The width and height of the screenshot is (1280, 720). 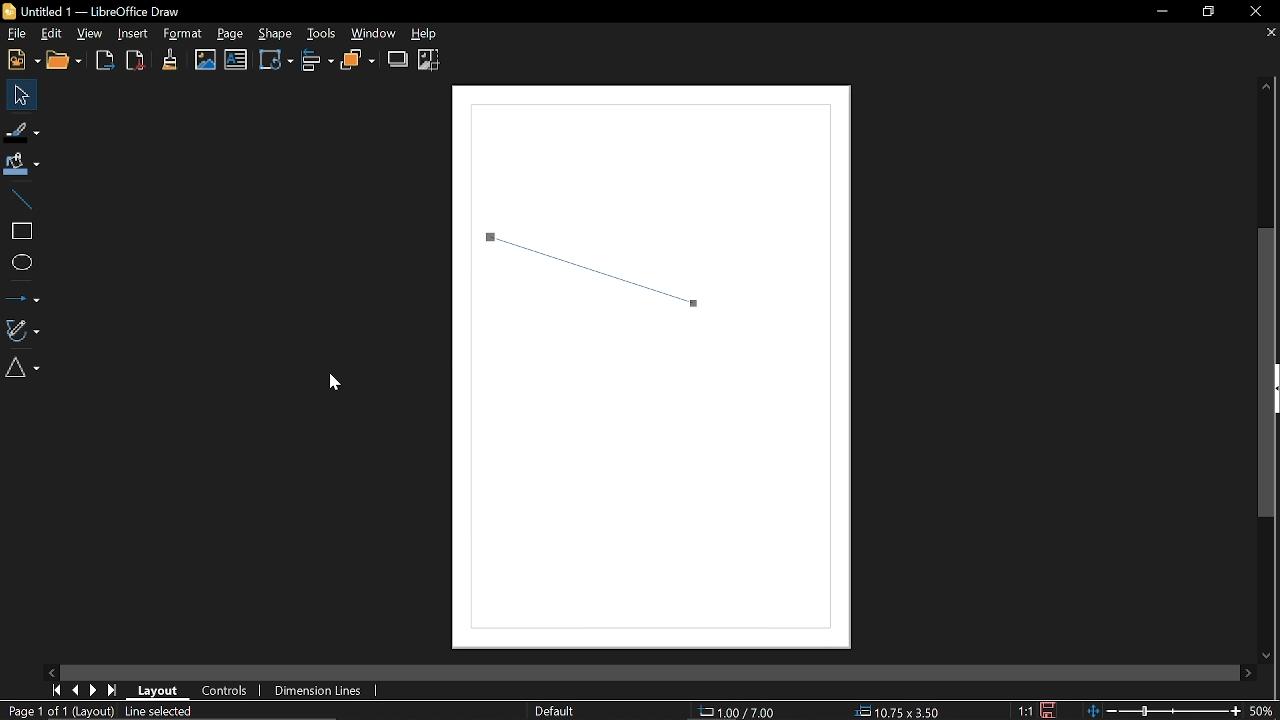 What do you see at coordinates (65, 61) in the screenshot?
I see `Open` at bounding box center [65, 61].